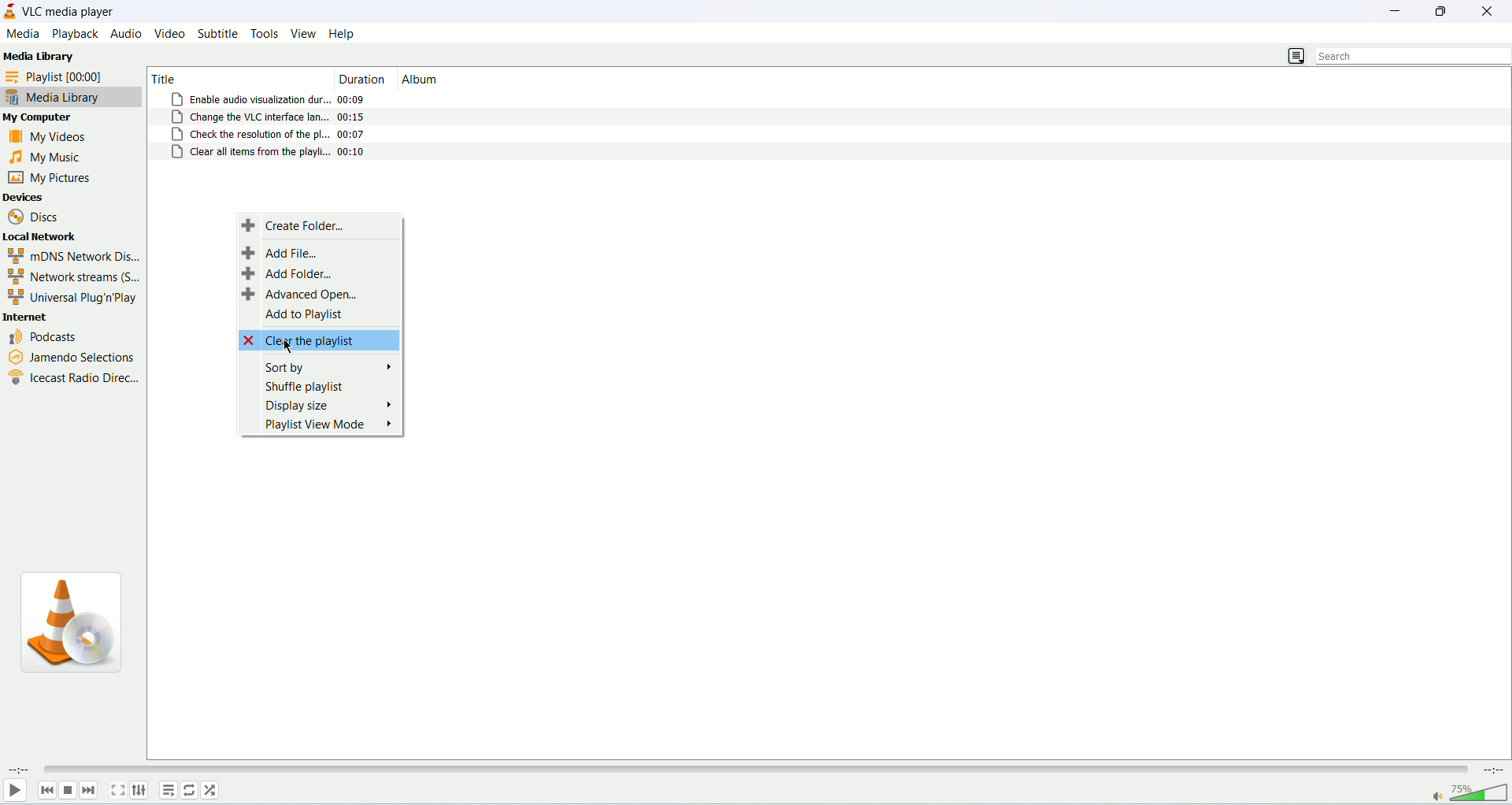 This screenshot has height=805, width=1512. I want to click on playback, so click(72, 34).